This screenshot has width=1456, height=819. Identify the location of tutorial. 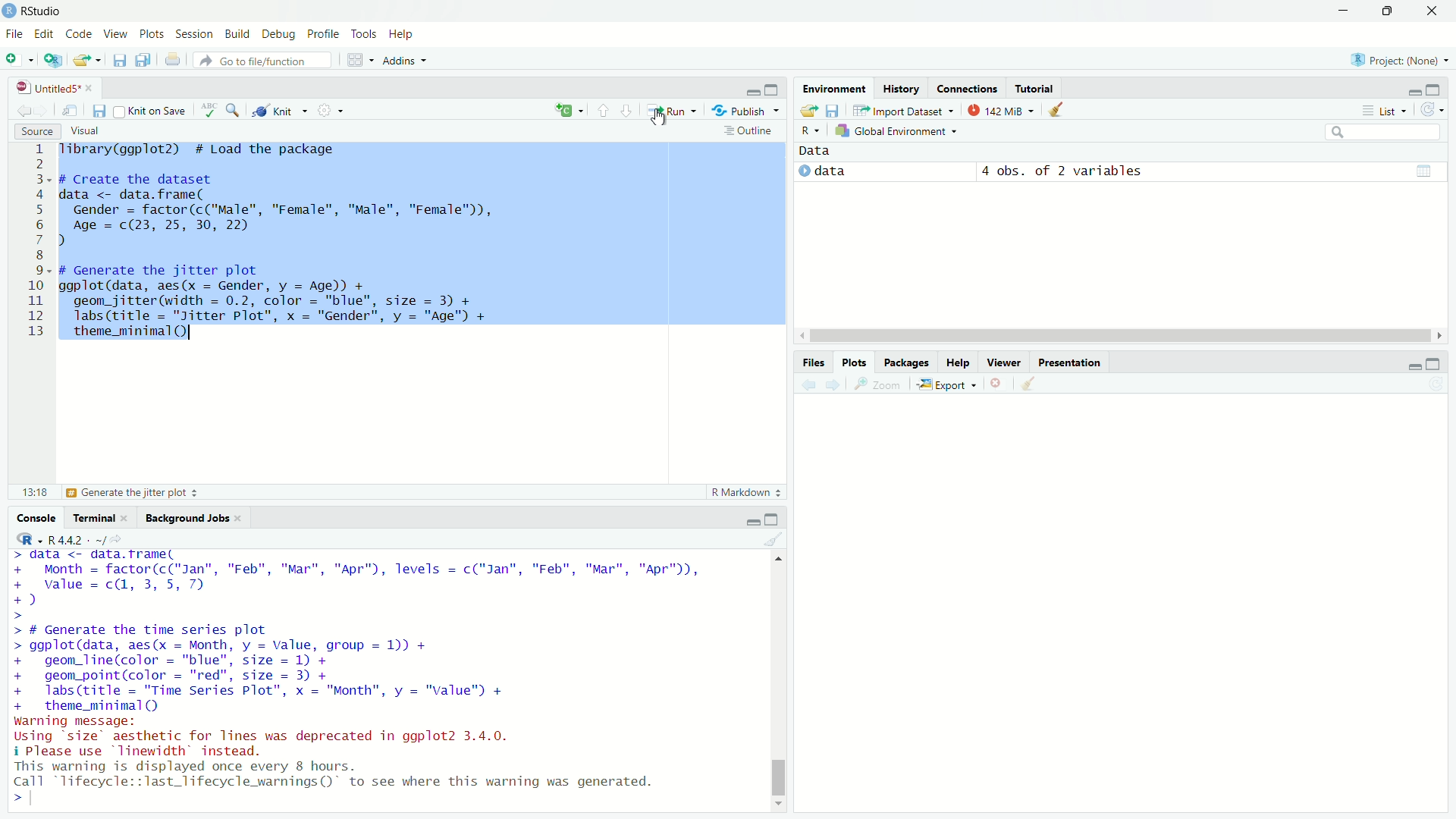
(1039, 88).